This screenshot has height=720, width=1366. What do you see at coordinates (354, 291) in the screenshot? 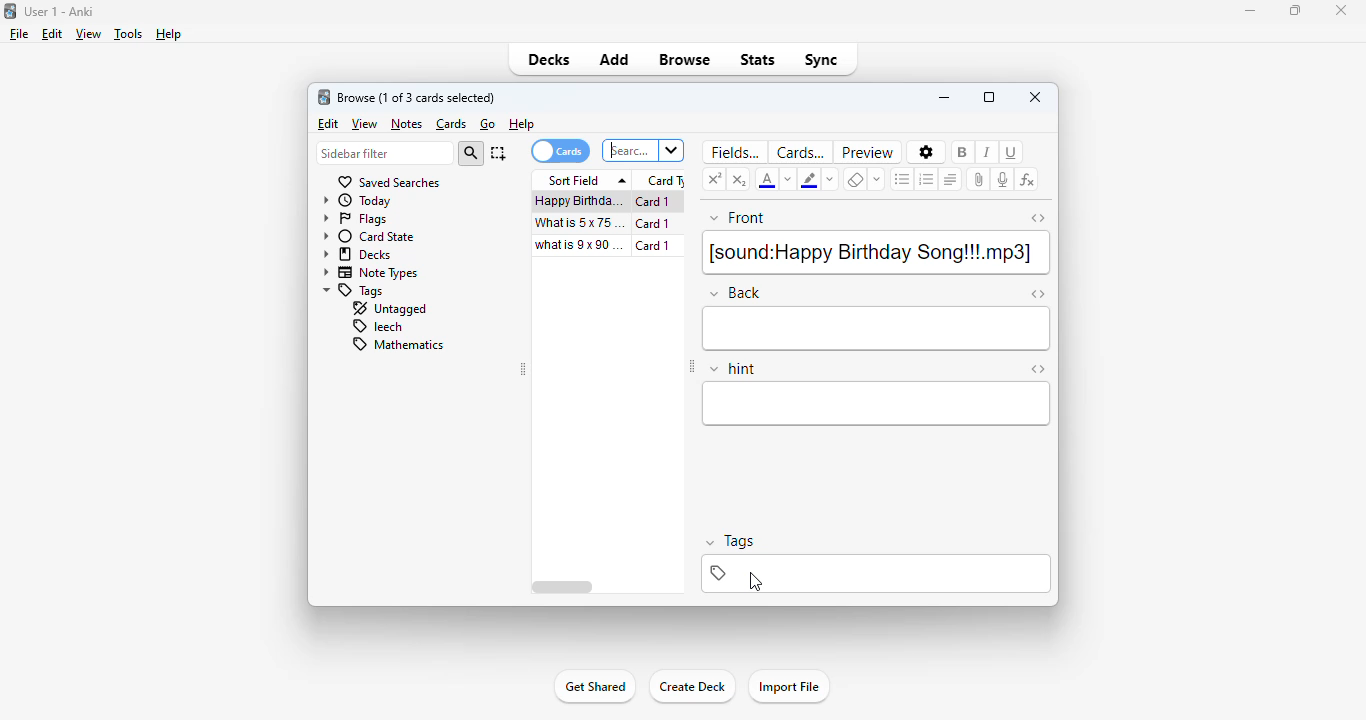
I see `tags` at bounding box center [354, 291].